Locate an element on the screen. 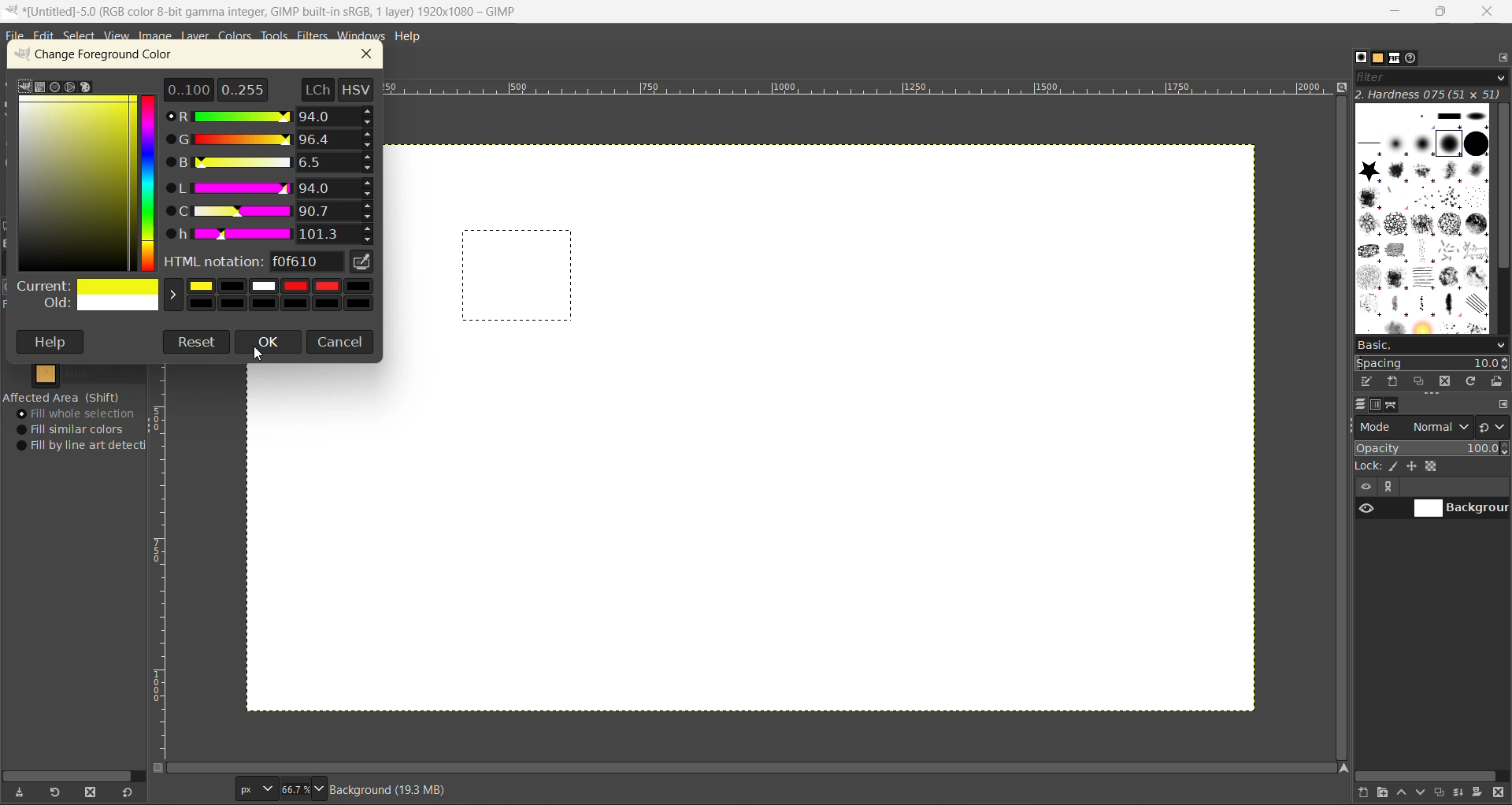 This screenshot has width=1512, height=805. color shade is located at coordinates (76, 187).